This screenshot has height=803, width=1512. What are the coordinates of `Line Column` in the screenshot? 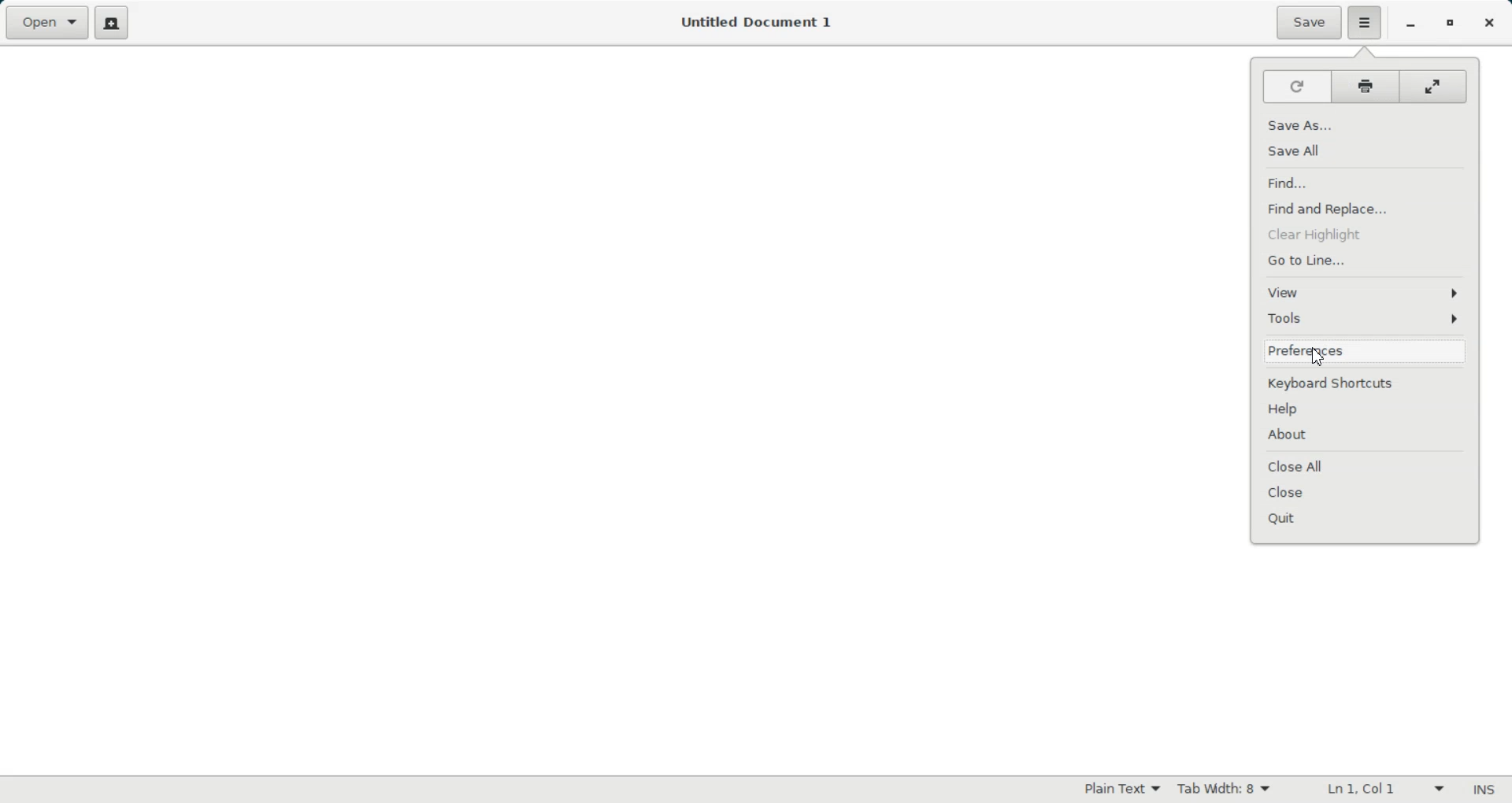 It's located at (1373, 790).